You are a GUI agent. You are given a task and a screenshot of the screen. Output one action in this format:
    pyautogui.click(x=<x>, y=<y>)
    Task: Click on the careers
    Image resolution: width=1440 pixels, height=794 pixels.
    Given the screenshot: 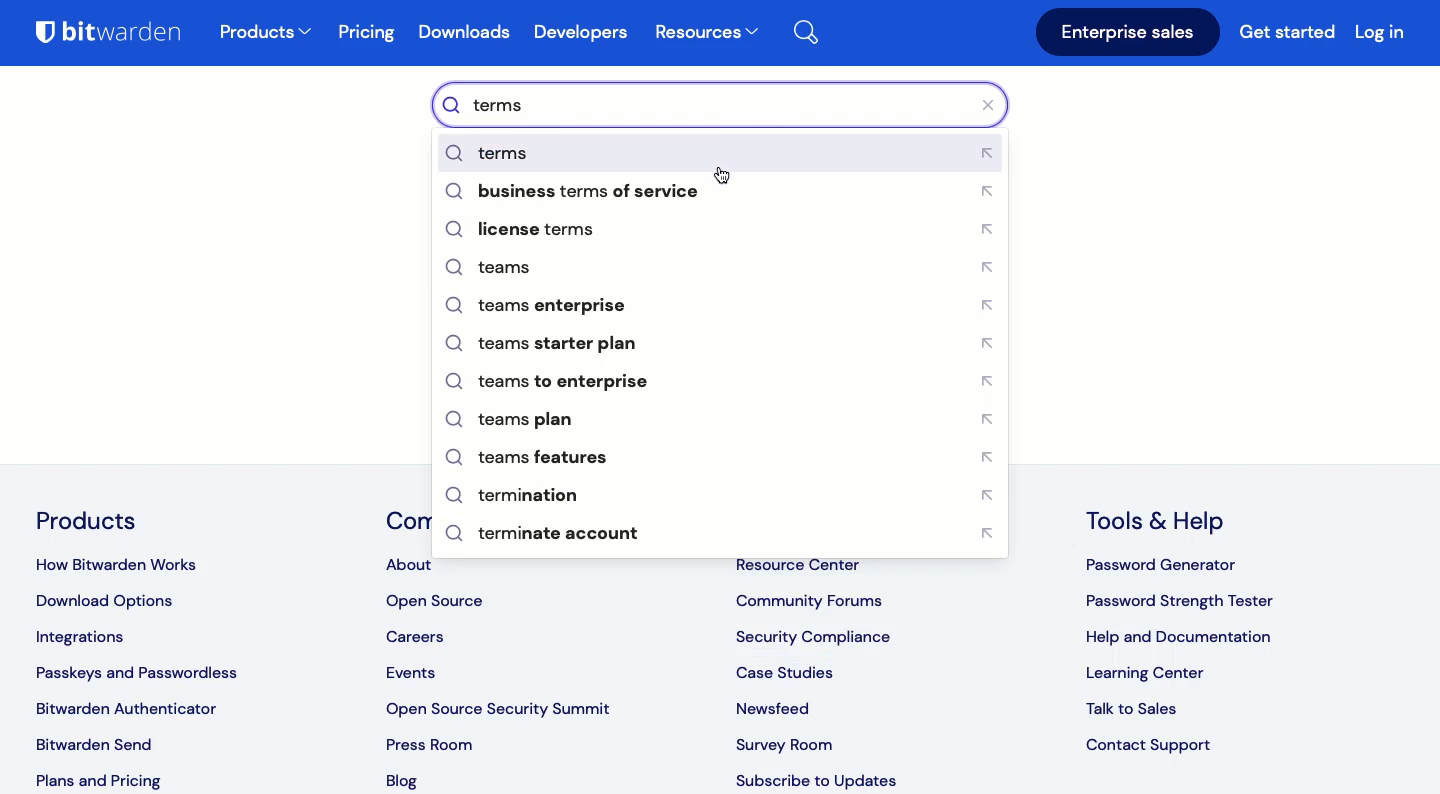 What is the action you would take?
    pyautogui.click(x=422, y=636)
    